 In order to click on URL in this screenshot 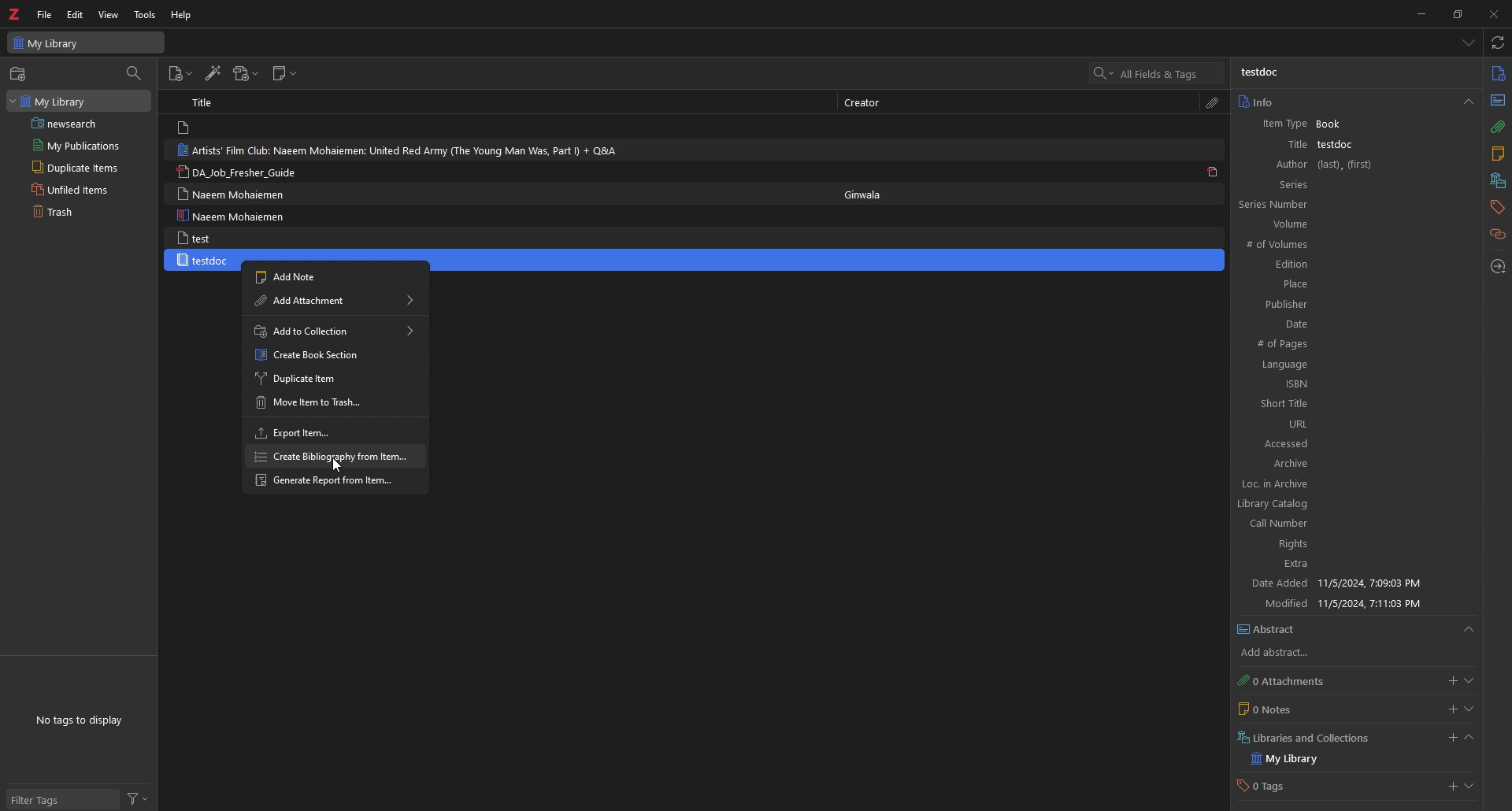, I will do `click(1352, 424)`.